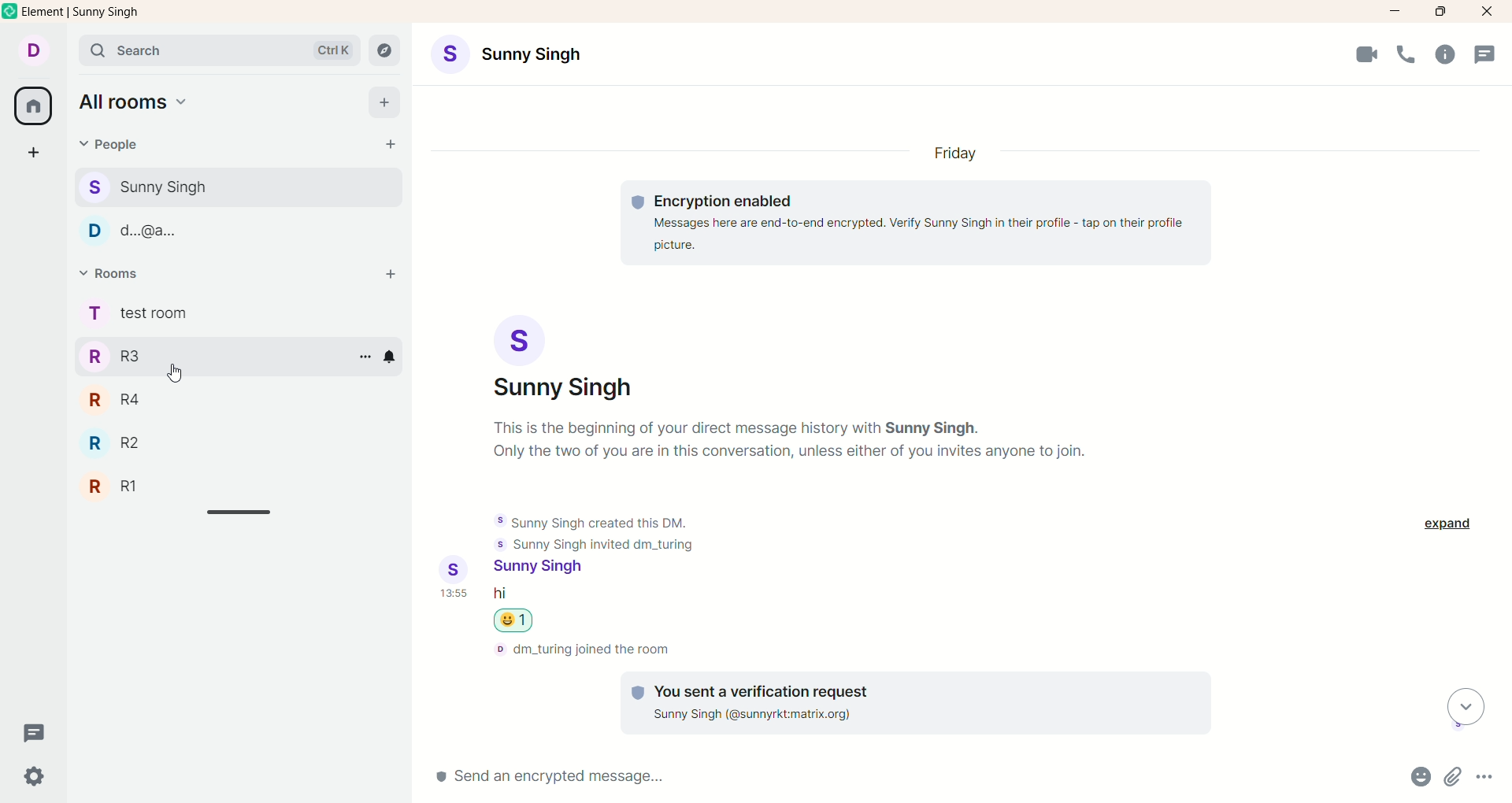 This screenshot has width=1512, height=803. Describe the element at coordinates (802, 439) in the screenshot. I see `text` at that location.